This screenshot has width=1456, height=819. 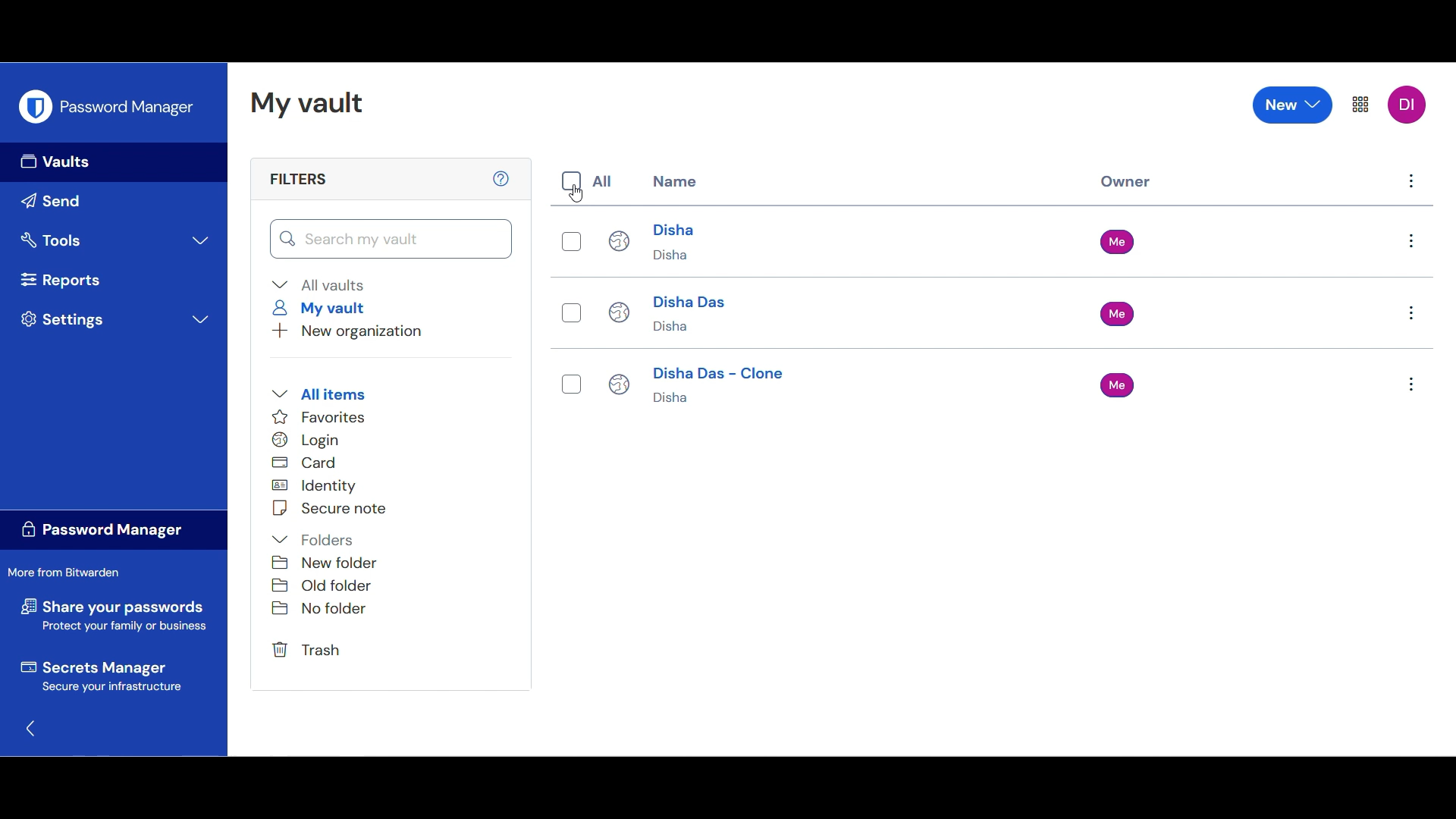 I want to click on Settings for each item respectively, so click(x=1413, y=185).